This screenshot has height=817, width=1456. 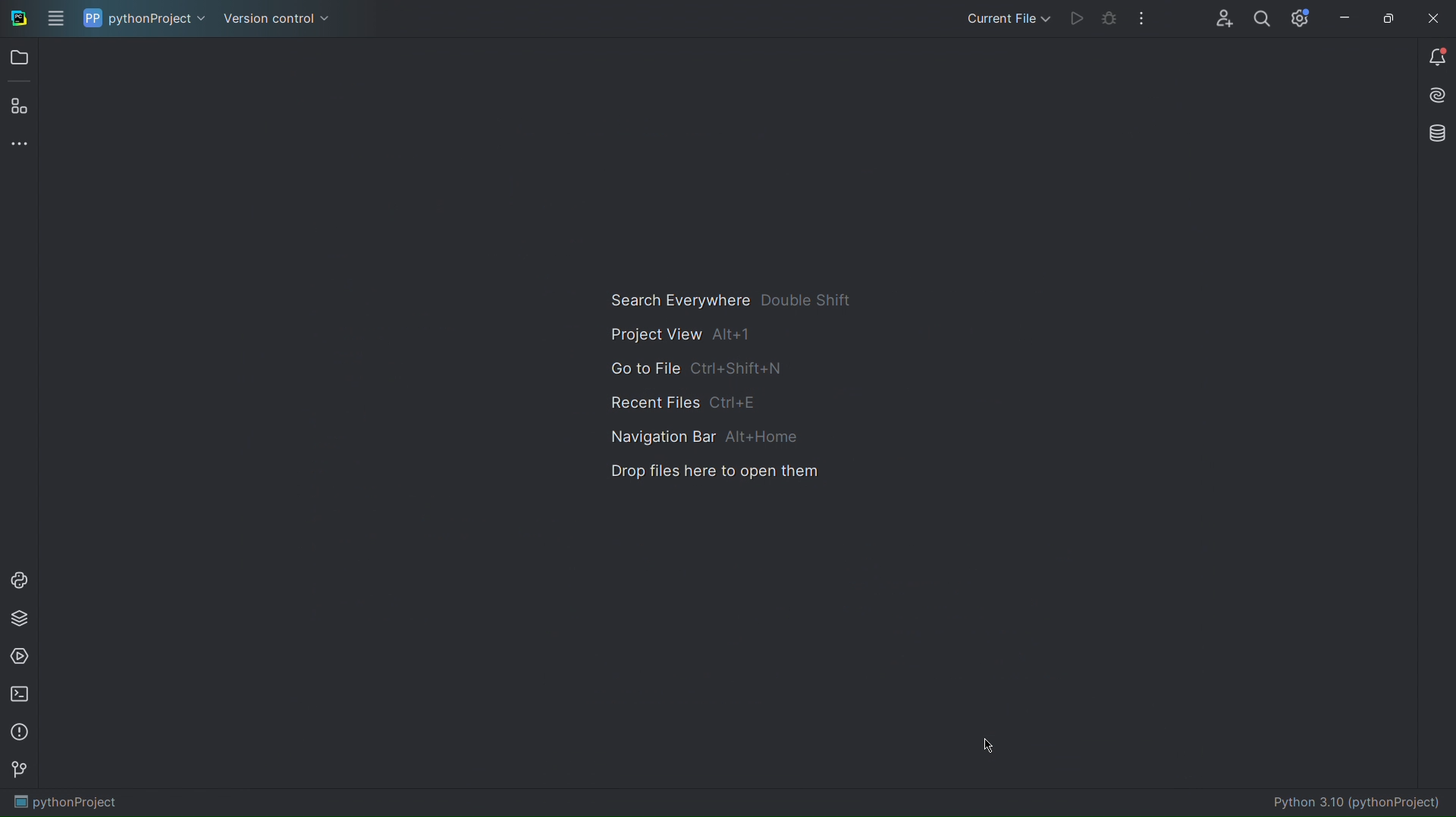 I want to click on Services, so click(x=20, y=656).